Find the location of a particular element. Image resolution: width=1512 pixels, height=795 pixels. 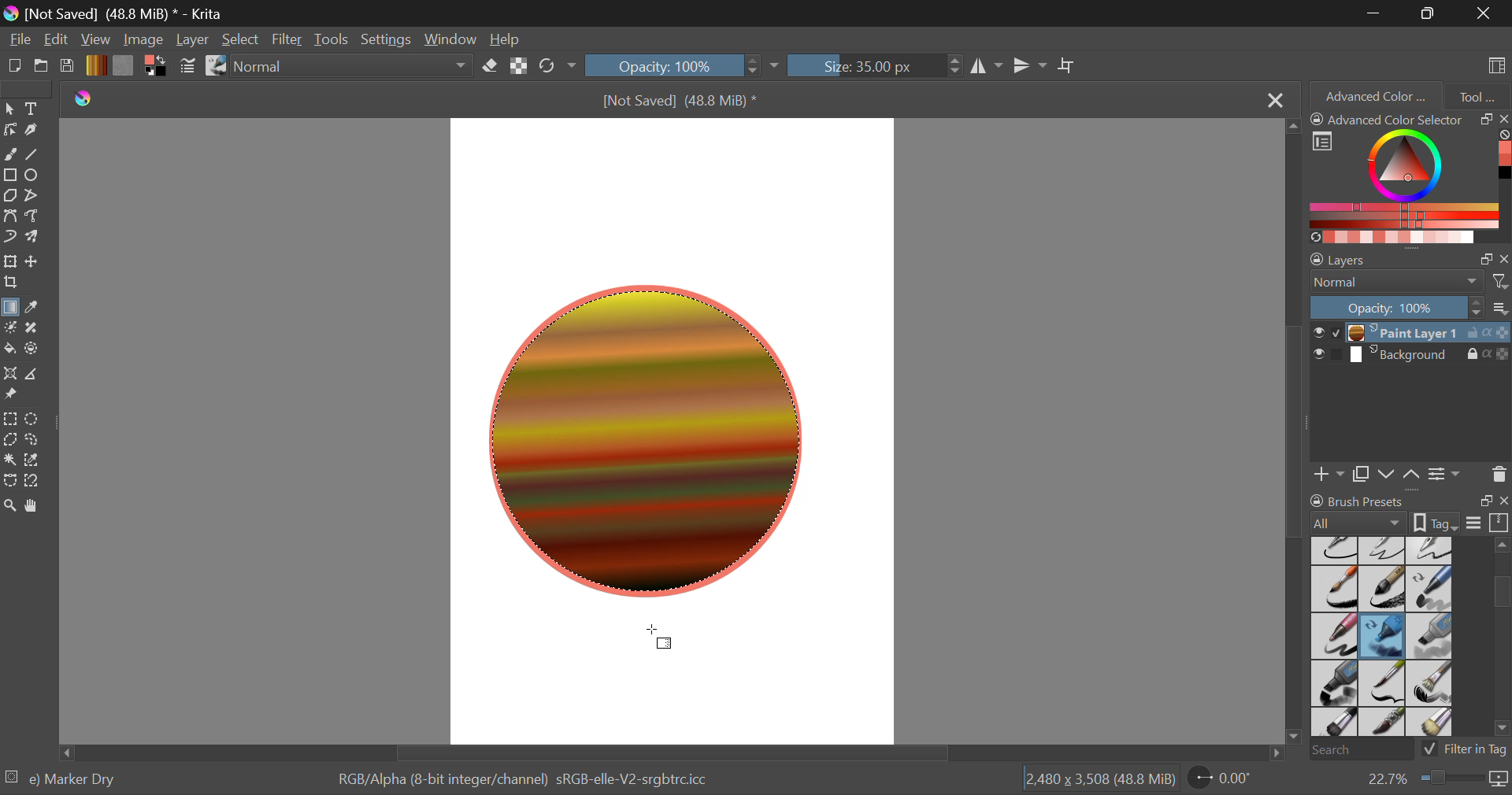

File is located at coordinates (20, 41).